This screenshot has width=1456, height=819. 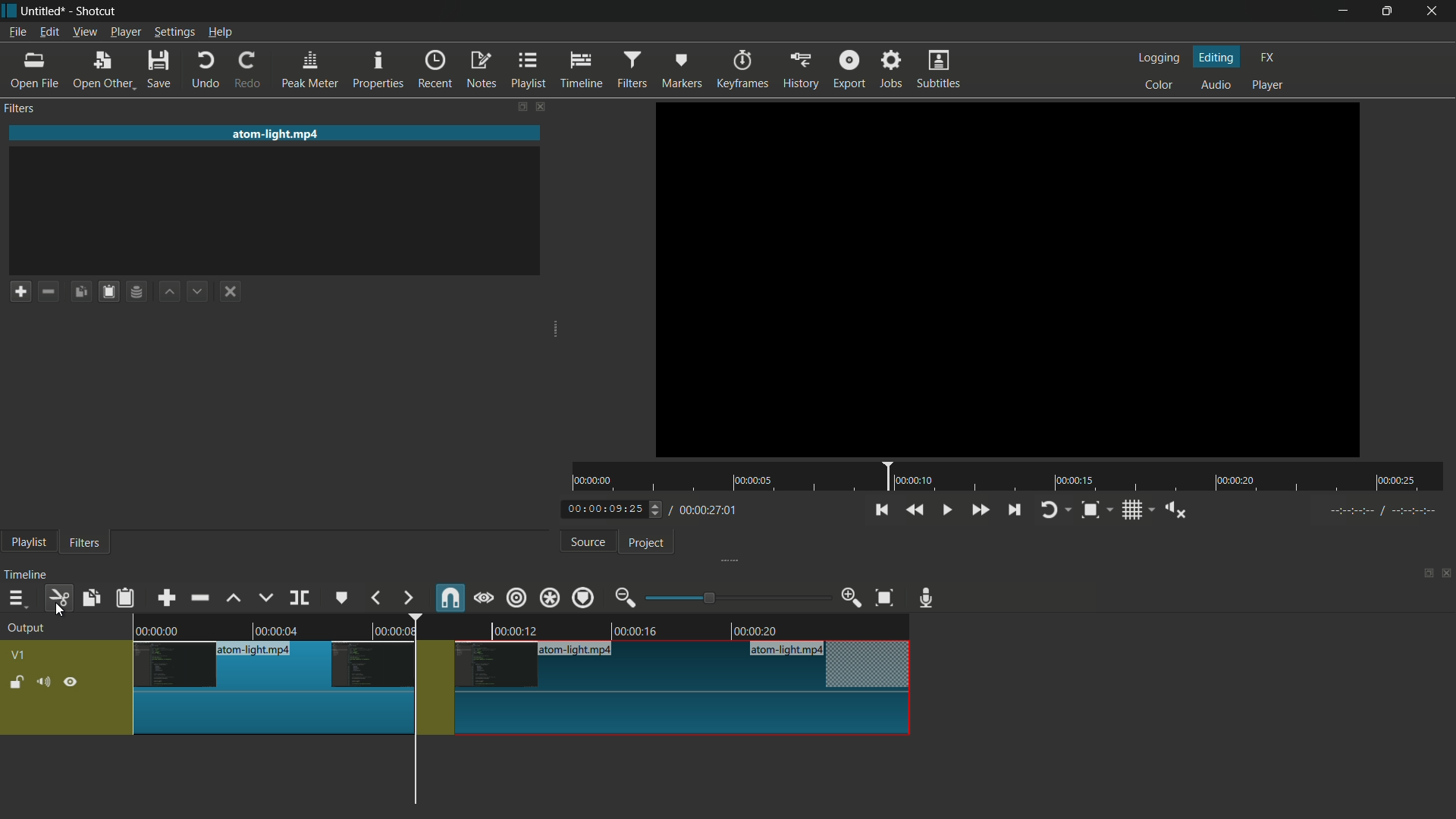 I want to click on settings menu, so click(x=174, y=33).